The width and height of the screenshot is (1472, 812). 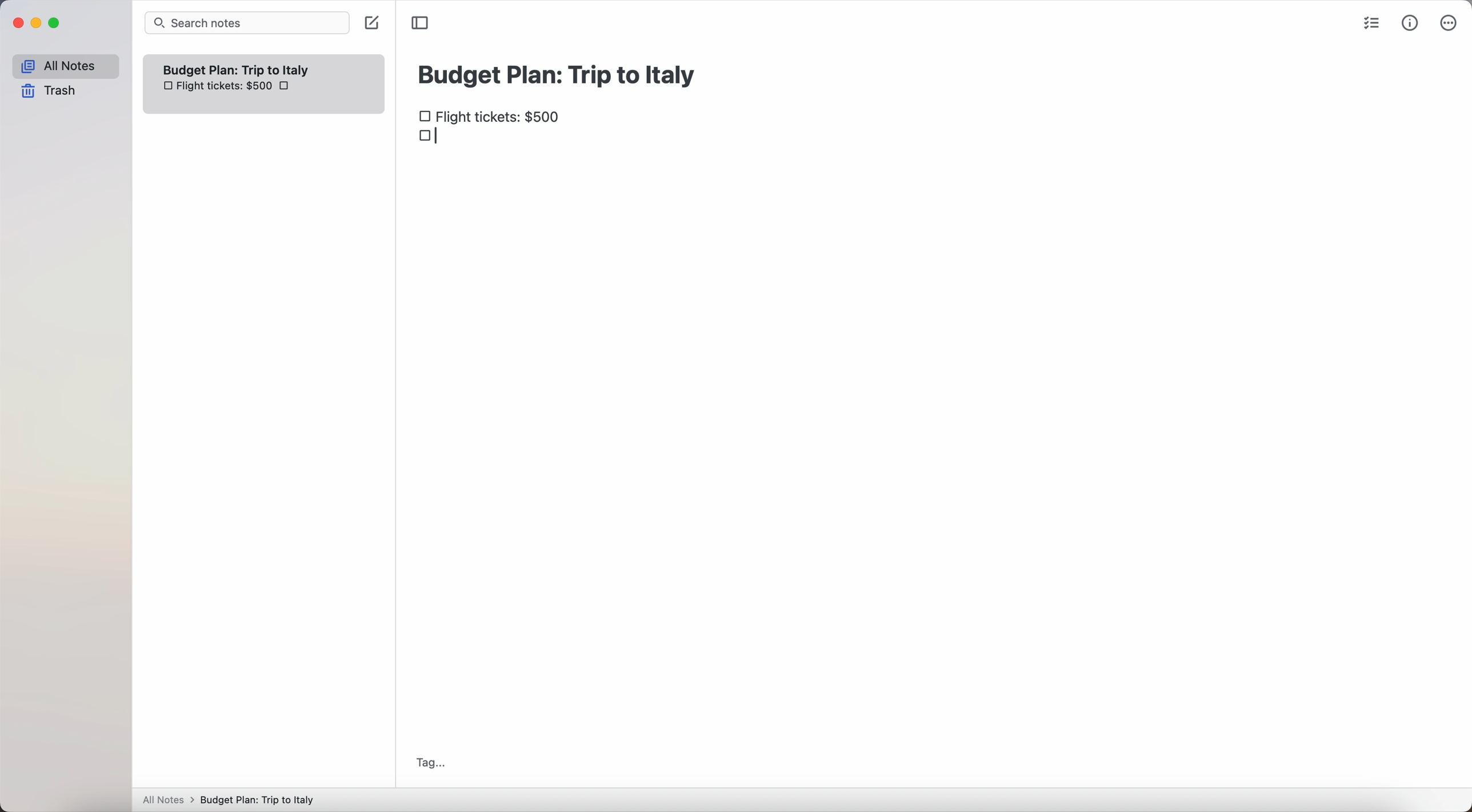 What do you see at coordinates (1449, 23) in the screenshot?
I see `more options` at bounding box center [1449, 23].